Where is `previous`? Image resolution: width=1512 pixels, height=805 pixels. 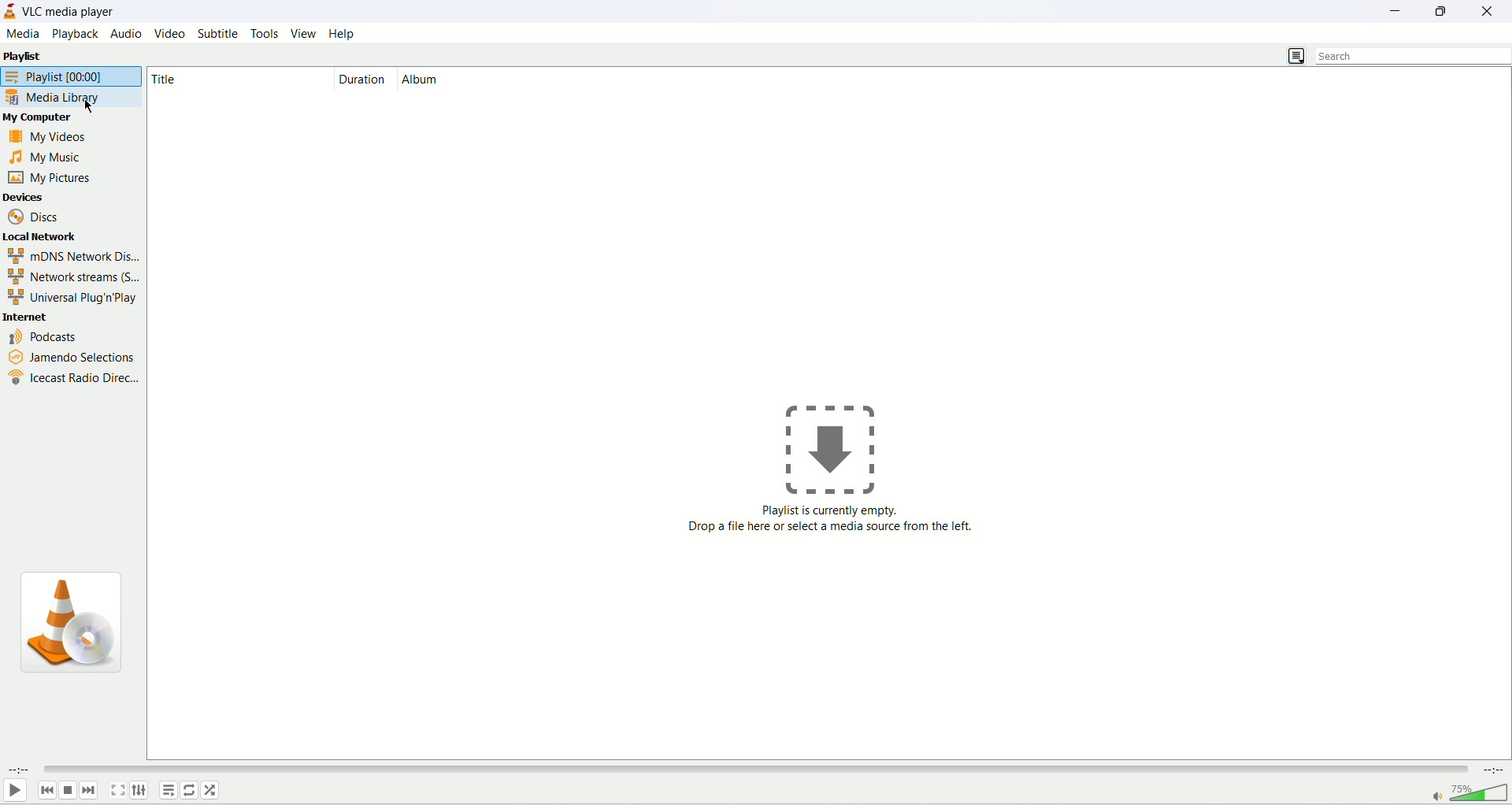
previous is located at coordinates (46, 790).